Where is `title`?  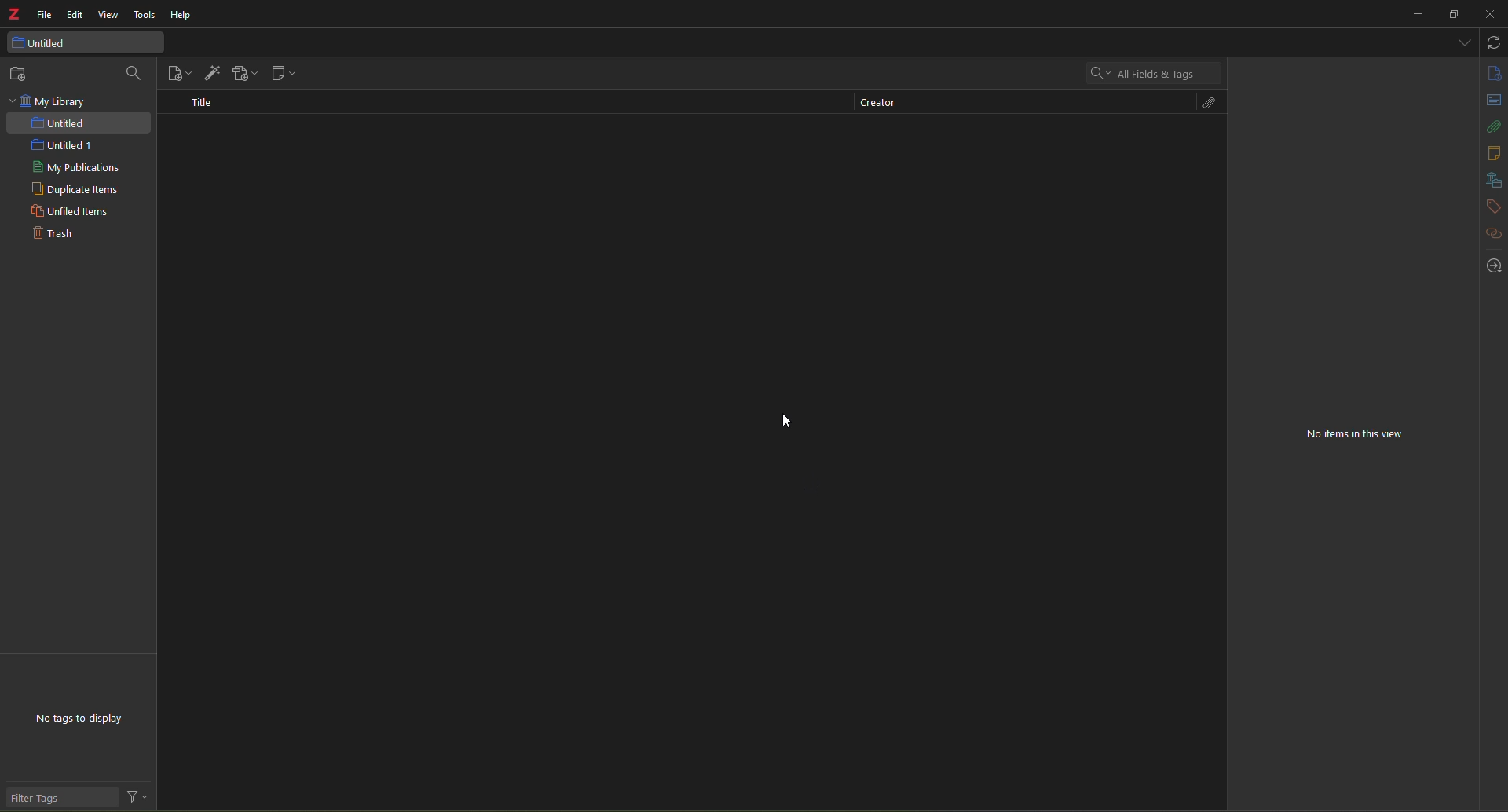
title is located at coordinates (1247, 71).